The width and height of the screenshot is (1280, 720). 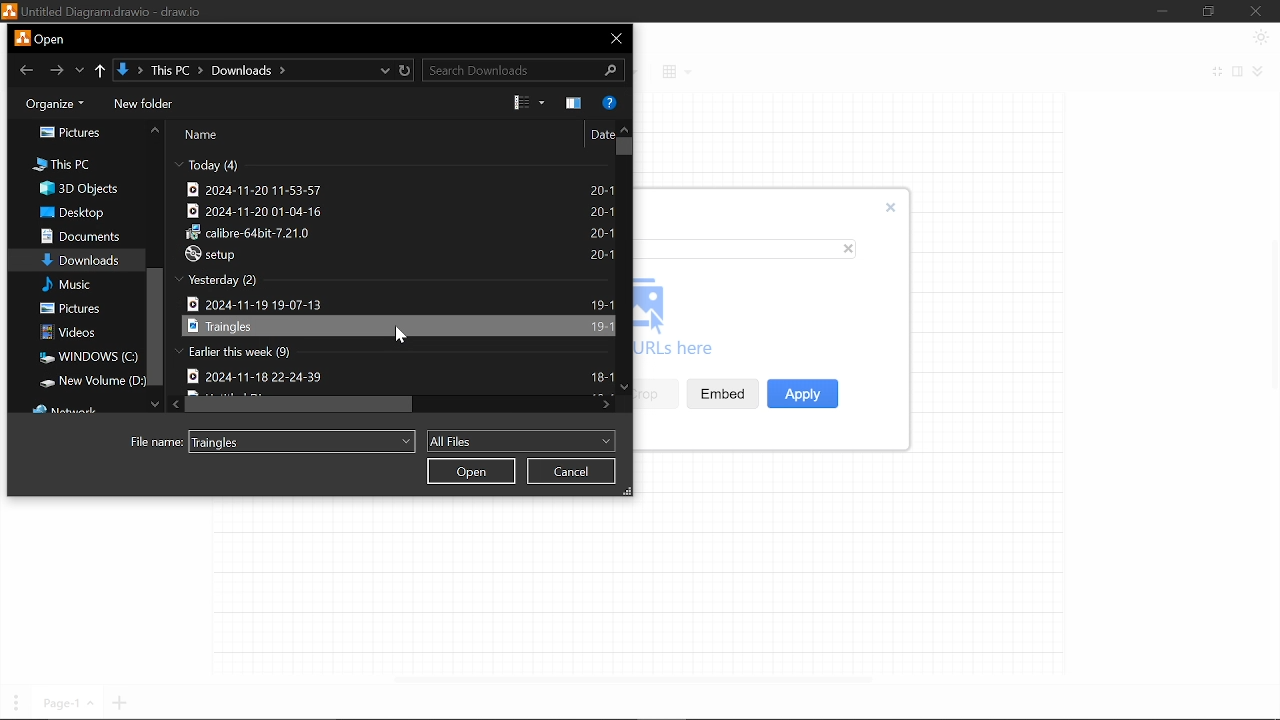 I want to click on 20-1, so click(x=604, y=190).